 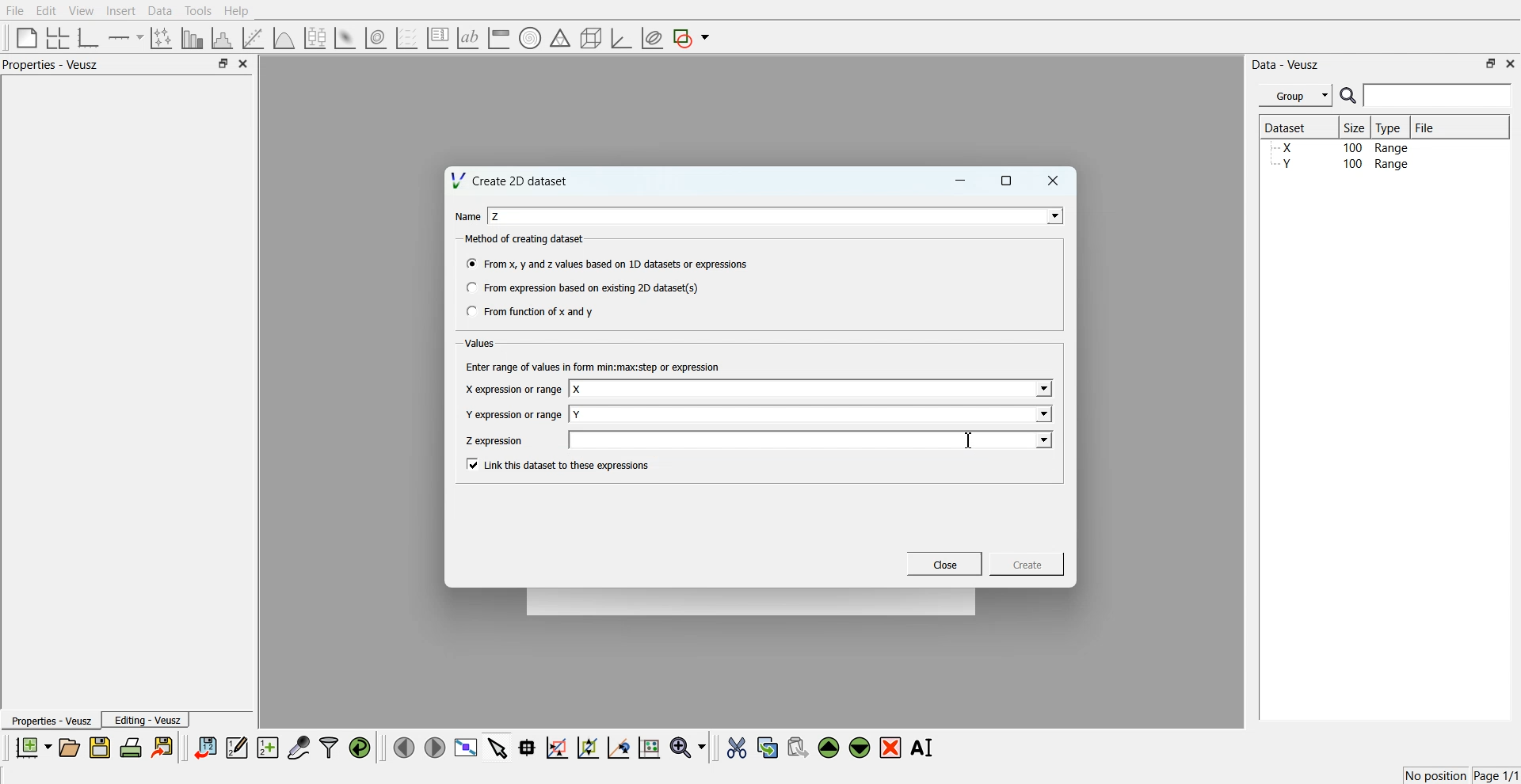 I want to click on ~~ Enter range of values in form min:max:step or expression, so click(x=593, y=366).